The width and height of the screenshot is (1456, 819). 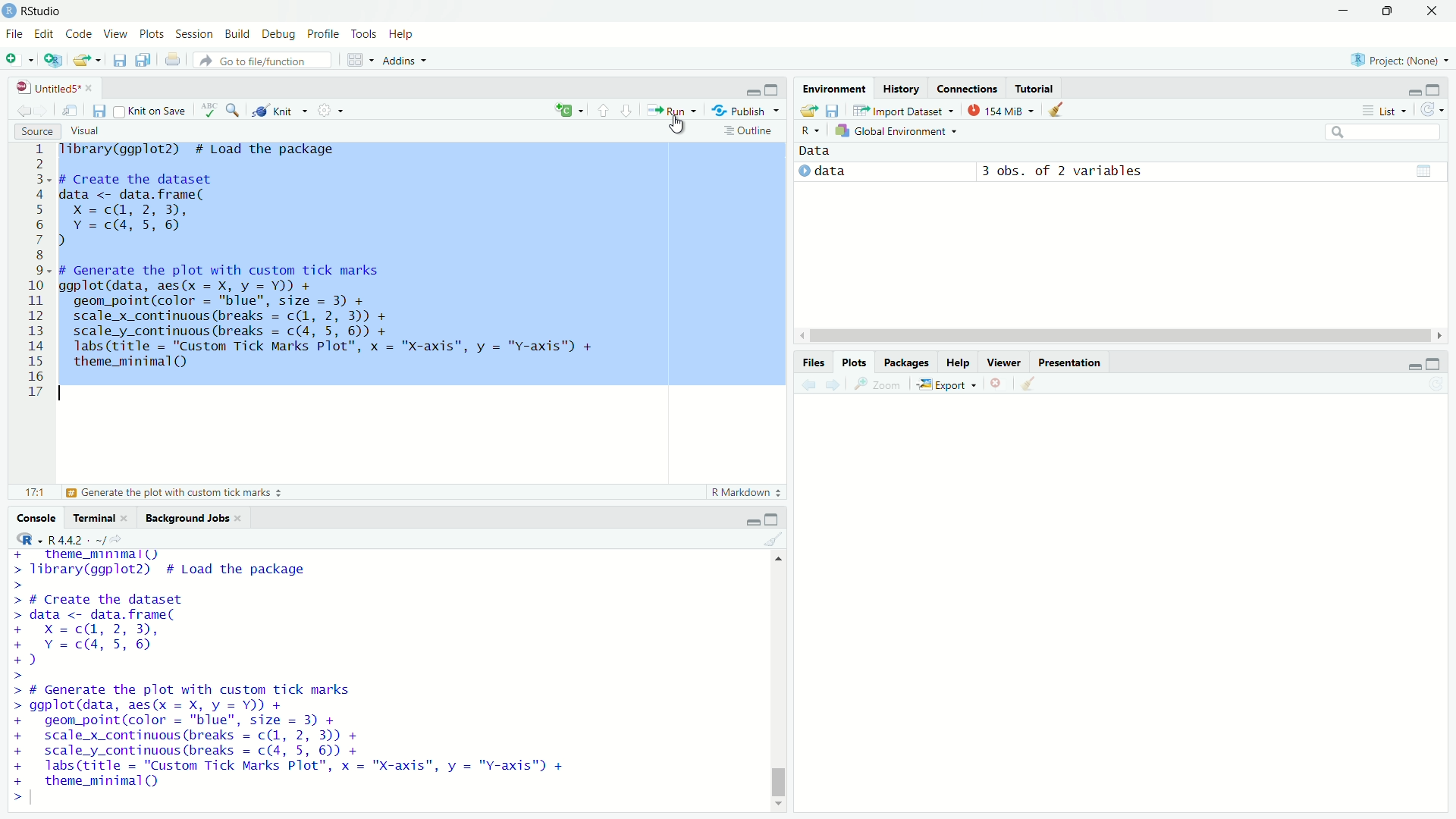 What do you see at coordinates (1035, 88) in the screenshot?
I see `tutorial` at bounding box center [1035, 88].